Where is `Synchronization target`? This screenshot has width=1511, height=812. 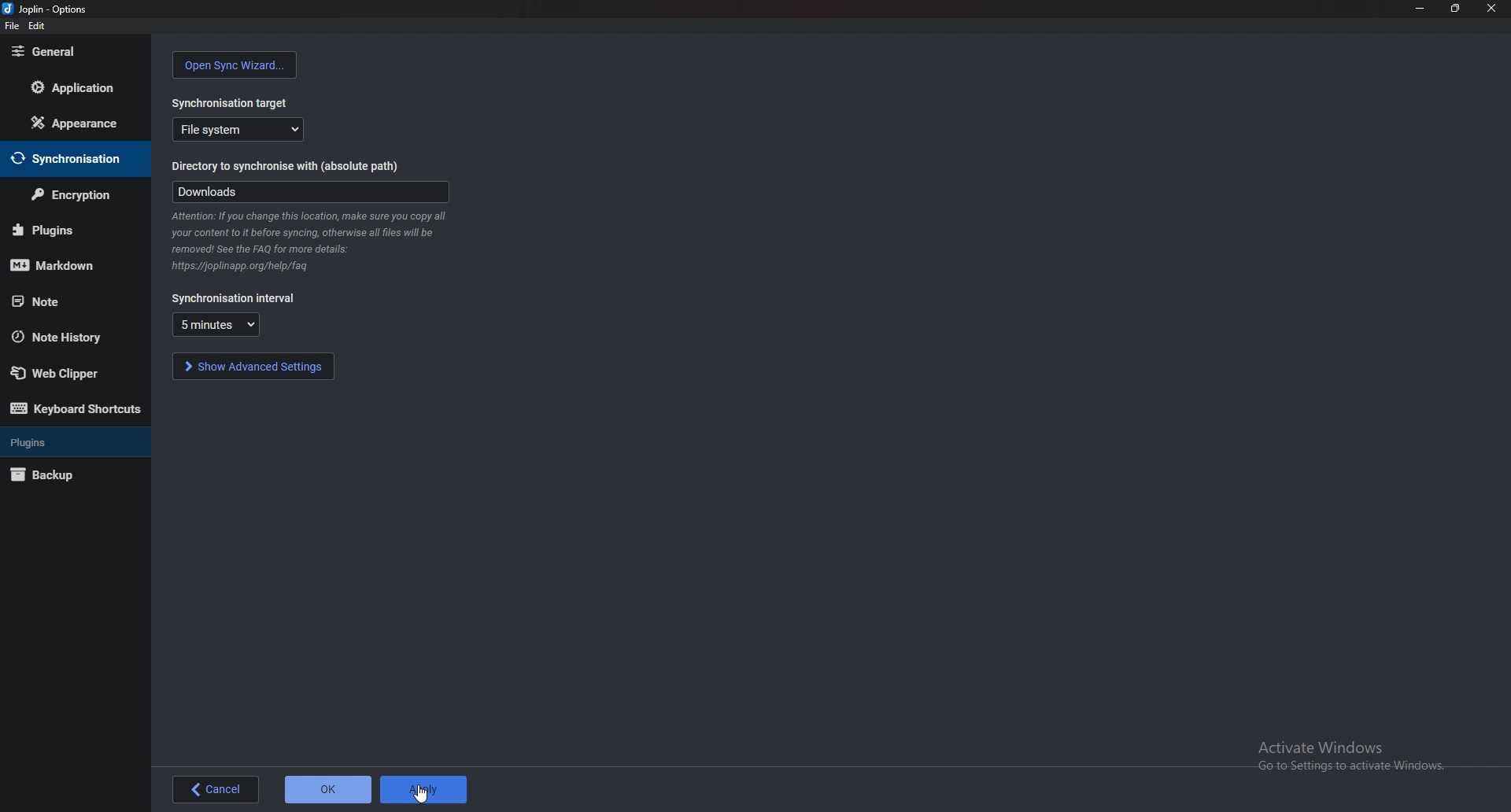
Synchronization target is located at coordinates (233, 99).